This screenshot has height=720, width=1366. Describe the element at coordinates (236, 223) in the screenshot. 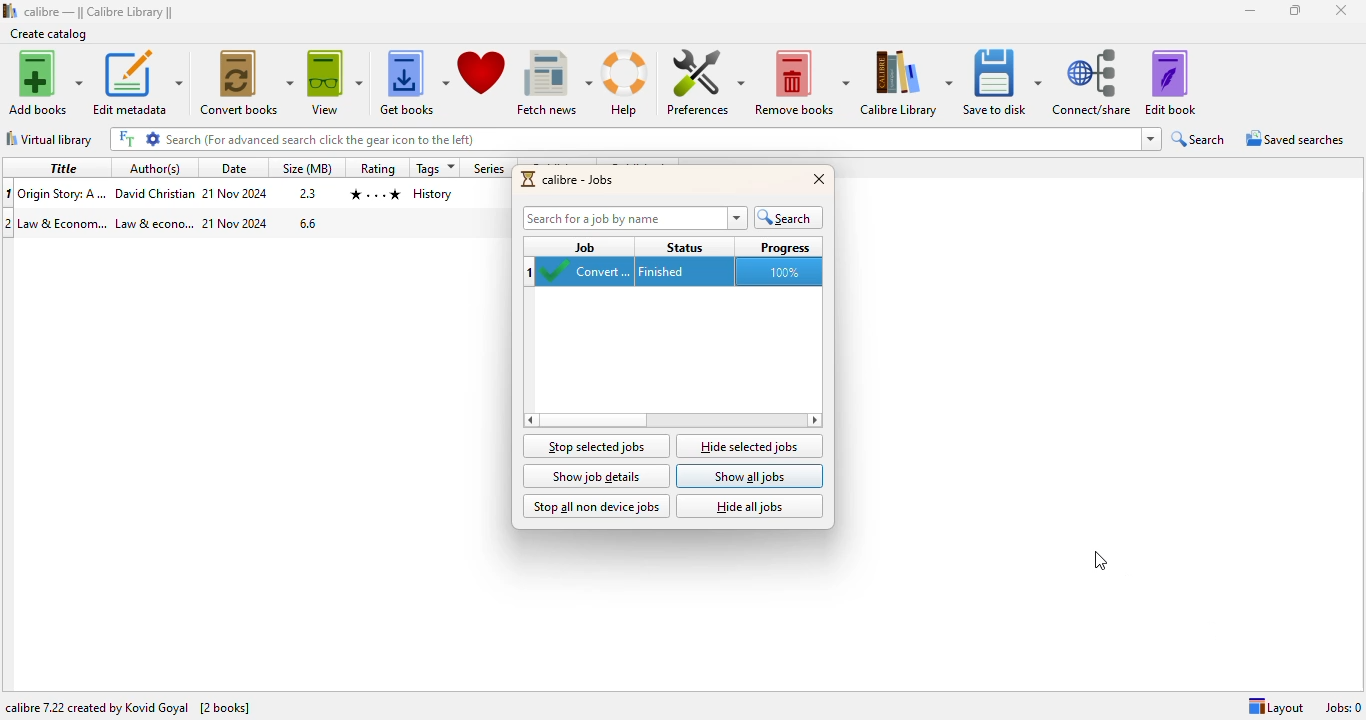

I see `date` at that location.